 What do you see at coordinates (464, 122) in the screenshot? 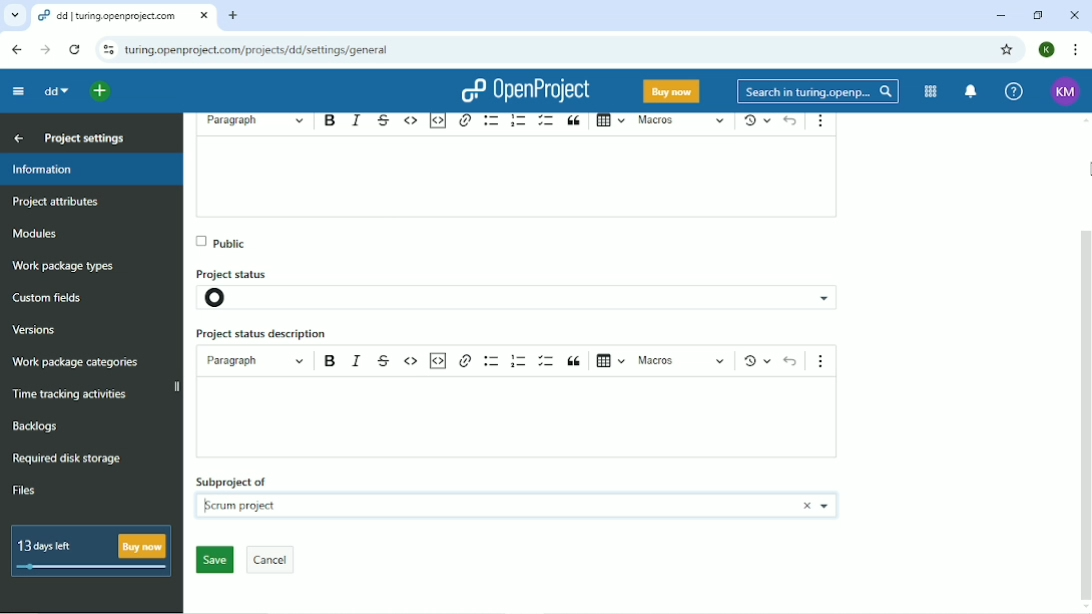
I see `Link` at bounding box center [464, 122].